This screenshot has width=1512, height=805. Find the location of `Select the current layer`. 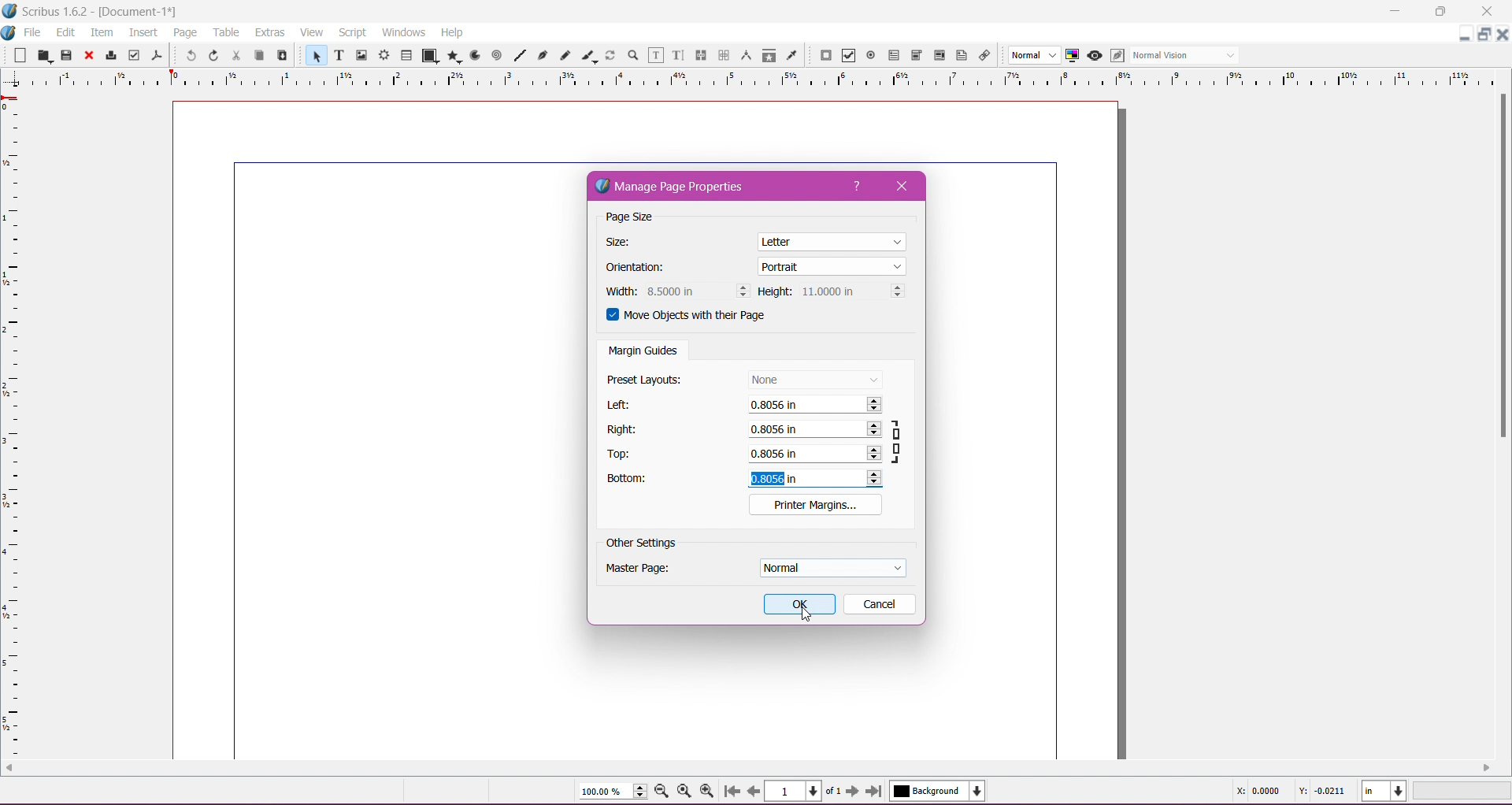

Select the current layer is located at coordinates (935, 792).